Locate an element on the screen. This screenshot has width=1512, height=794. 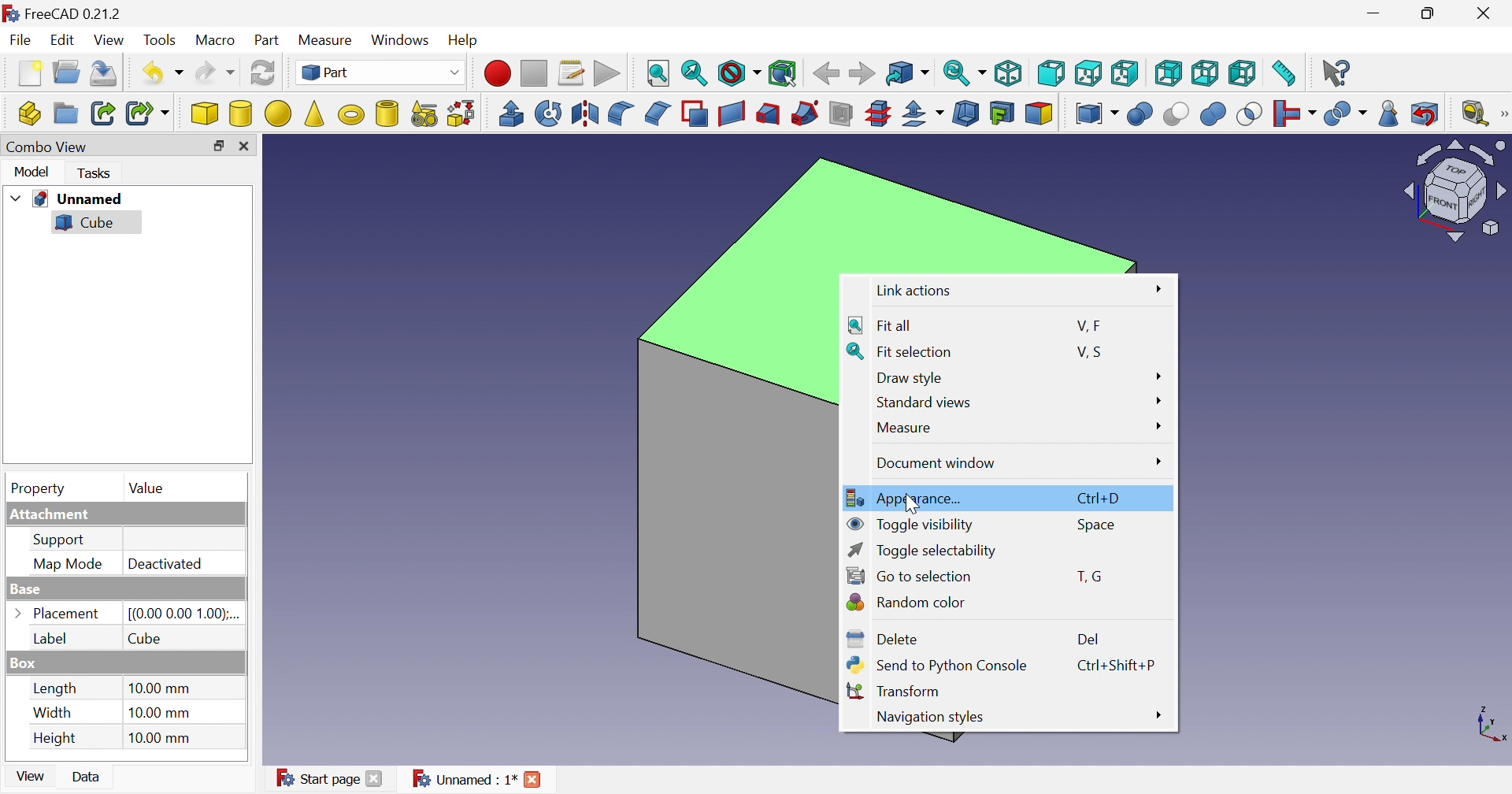
Help is located at coordinates (464, 41).